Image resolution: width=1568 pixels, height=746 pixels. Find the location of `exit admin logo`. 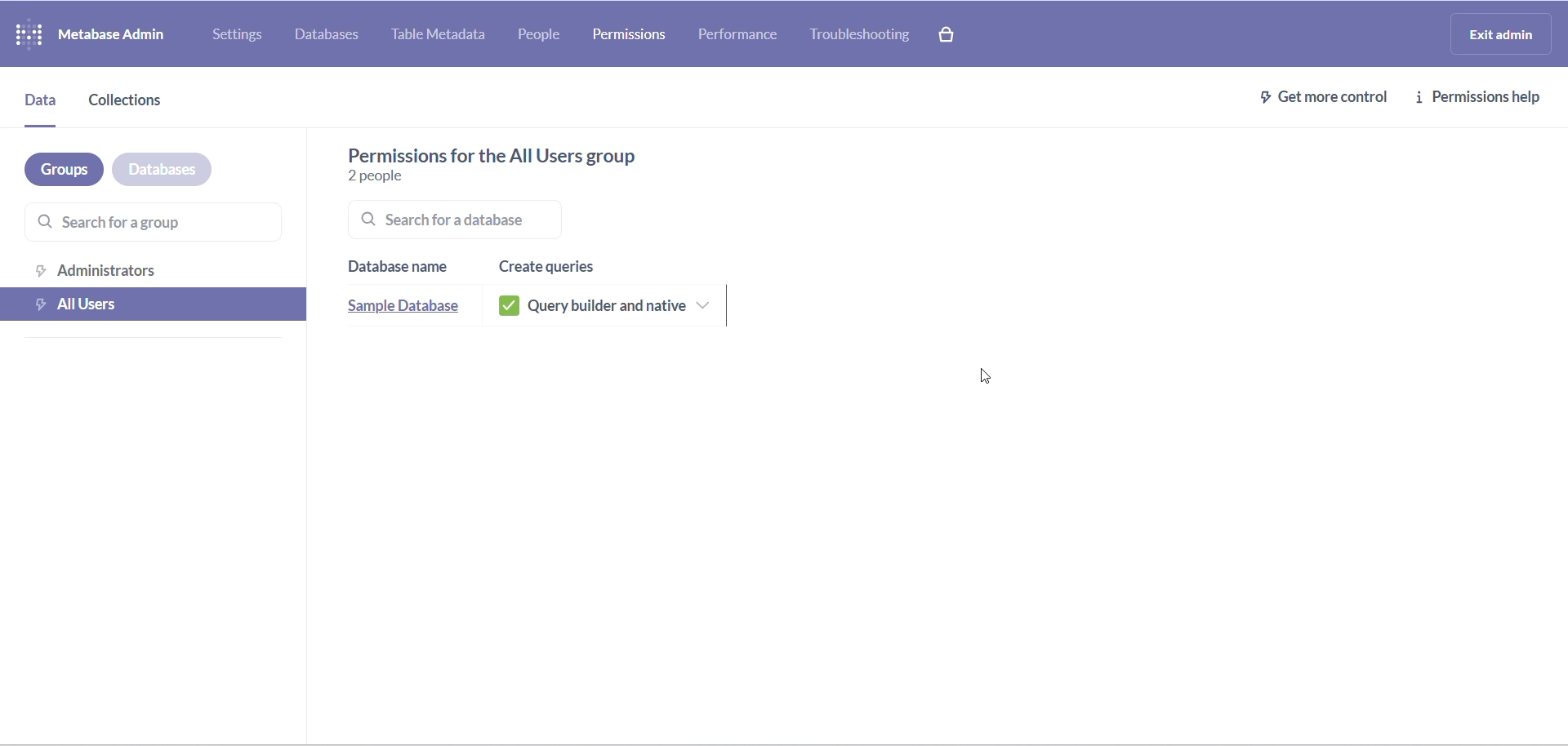

exit admin logo is located at coordinates (1506, 36).